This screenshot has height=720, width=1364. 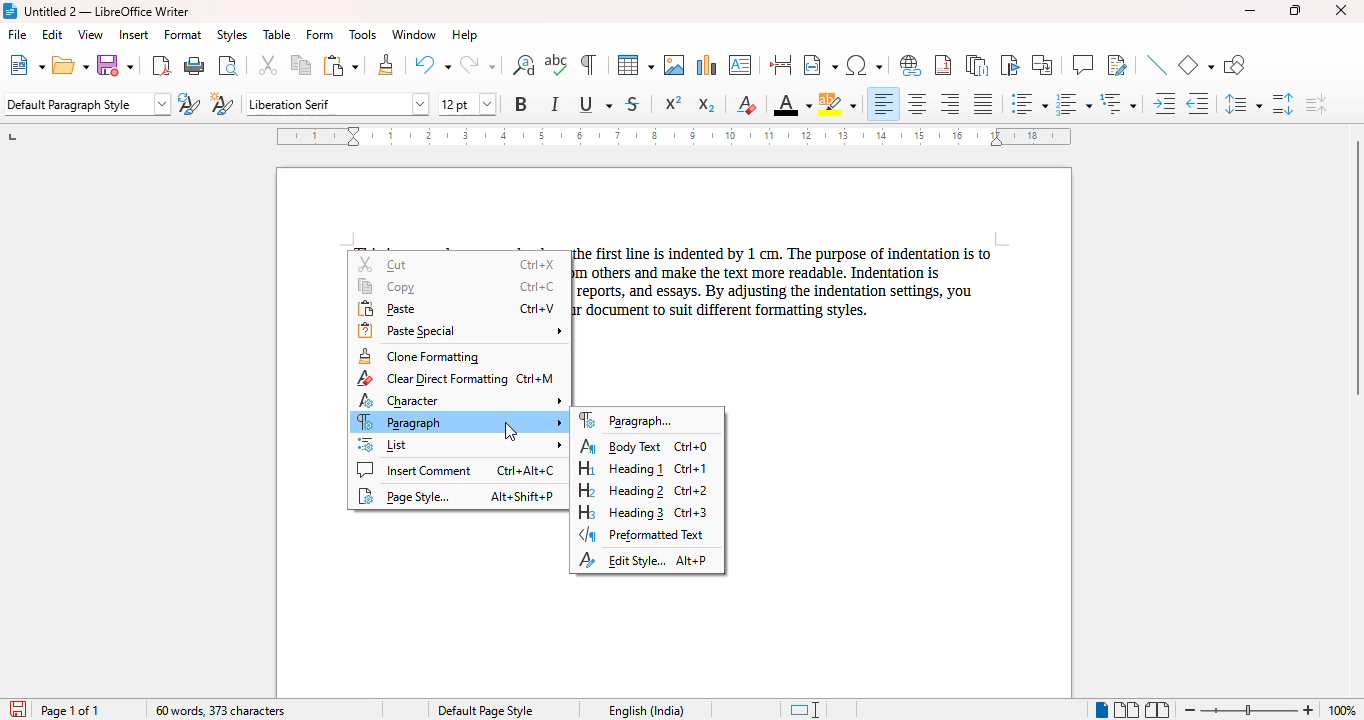 What do you see at coordinates (338, 103) in the screenshot?
I see `font name` at bounding box center [338, 103].